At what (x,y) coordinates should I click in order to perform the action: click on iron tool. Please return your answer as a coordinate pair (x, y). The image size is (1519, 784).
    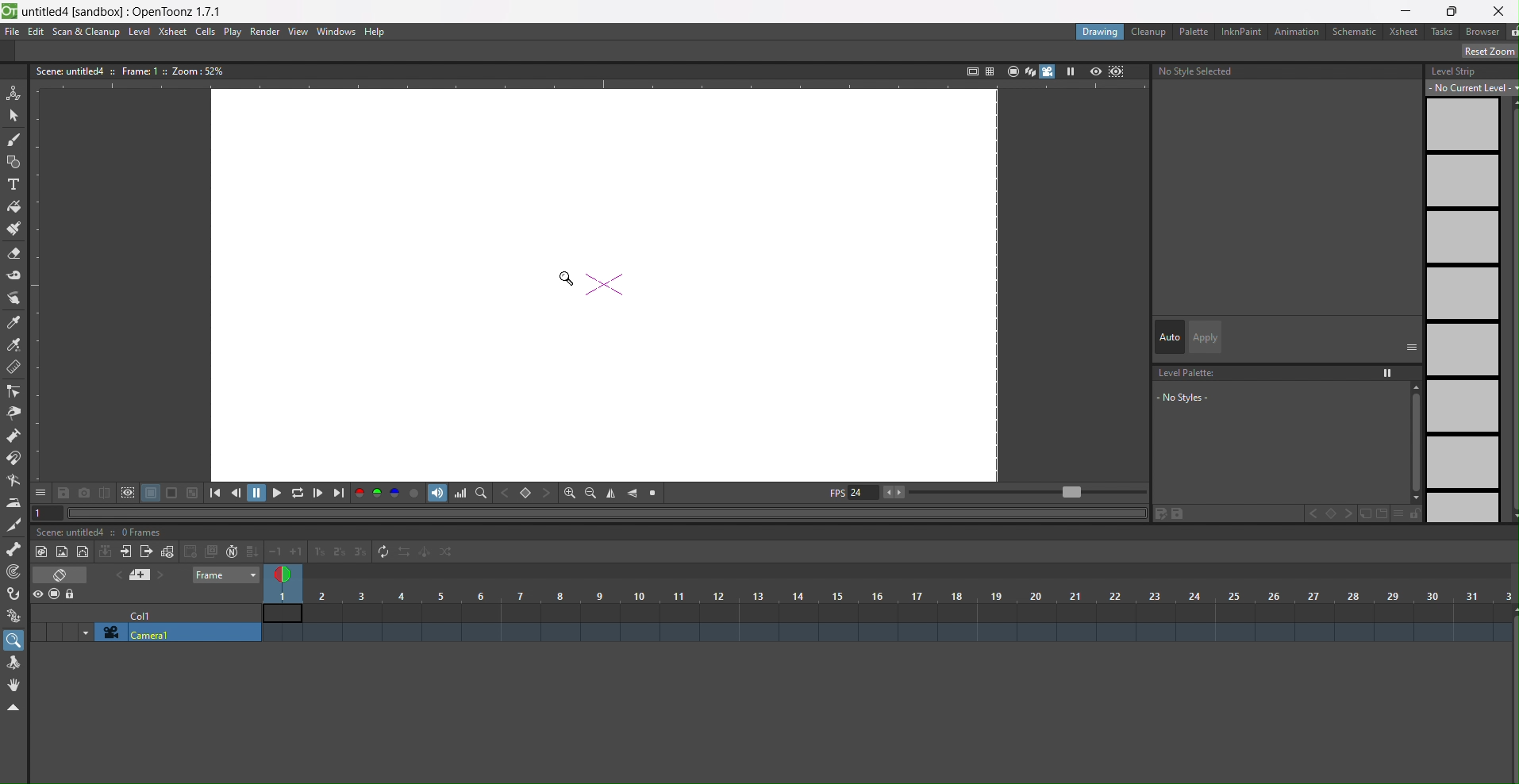
    Looking at the image, I should click on (14, 502).